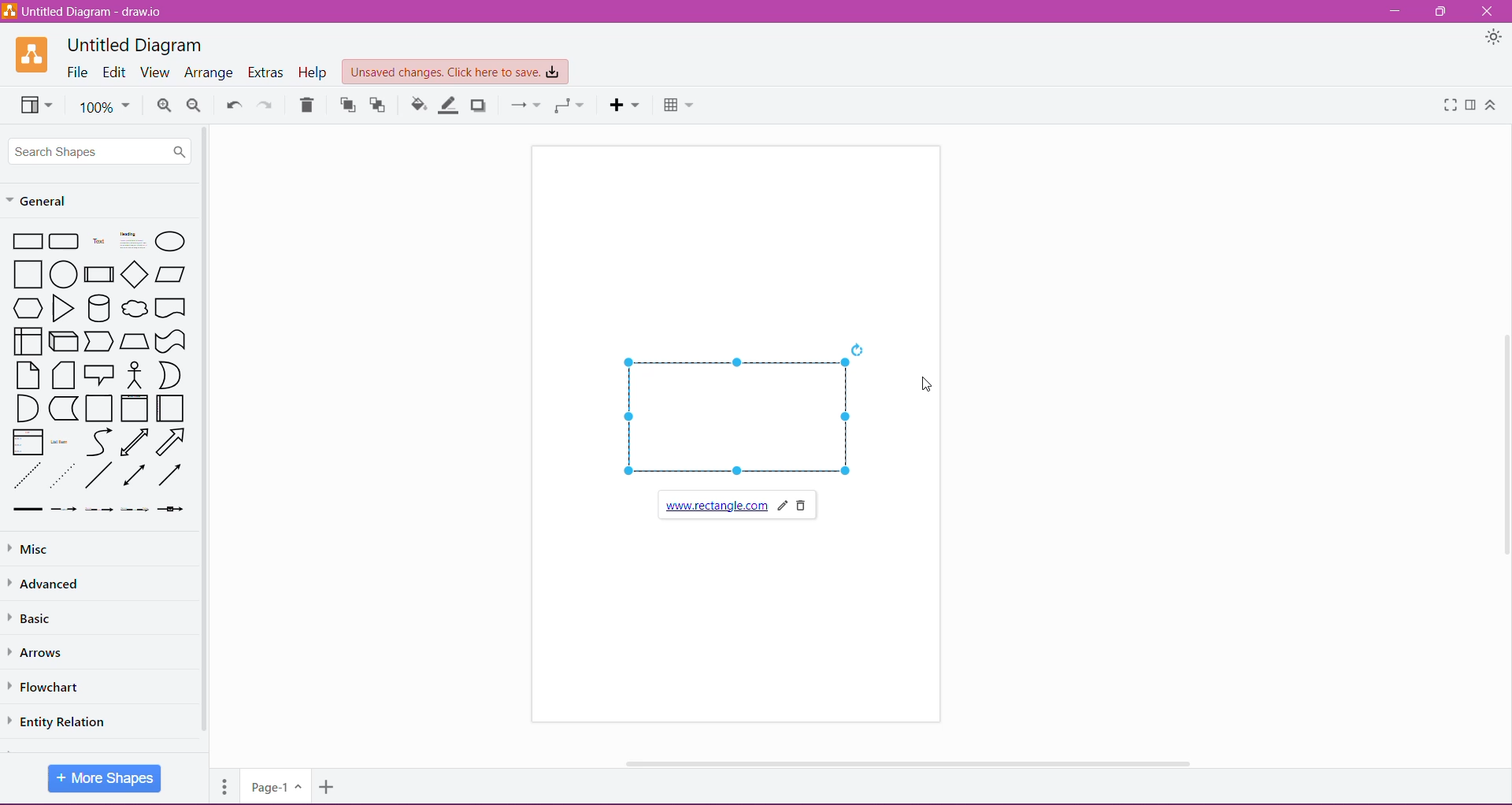 The width and height of the screenshot is (1512, 805). Describe the element at coordinates (1504, 447) in the screenshot. I see `scroll bar` at that location.